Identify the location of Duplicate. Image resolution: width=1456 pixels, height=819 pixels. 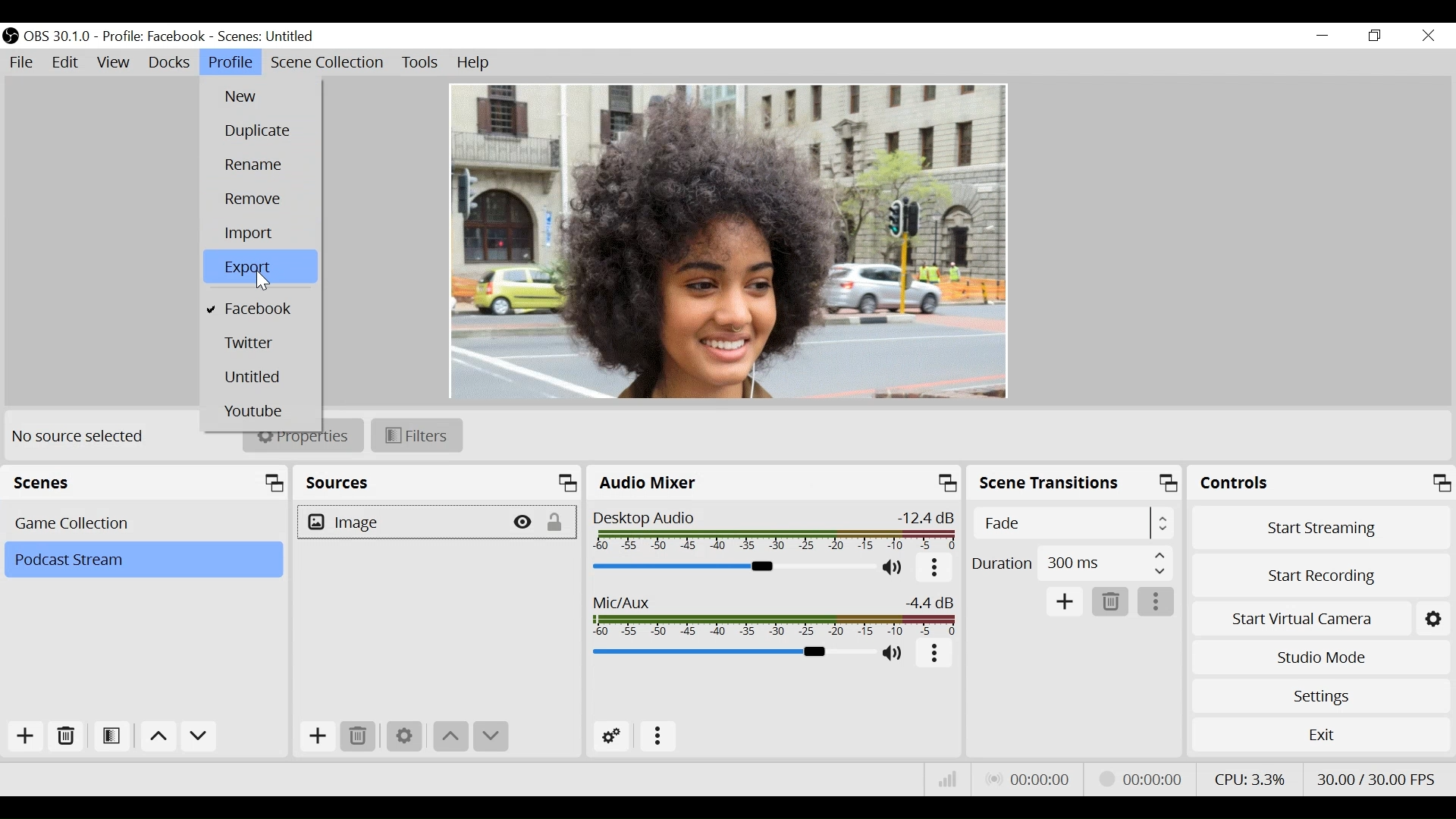
(258, 132).